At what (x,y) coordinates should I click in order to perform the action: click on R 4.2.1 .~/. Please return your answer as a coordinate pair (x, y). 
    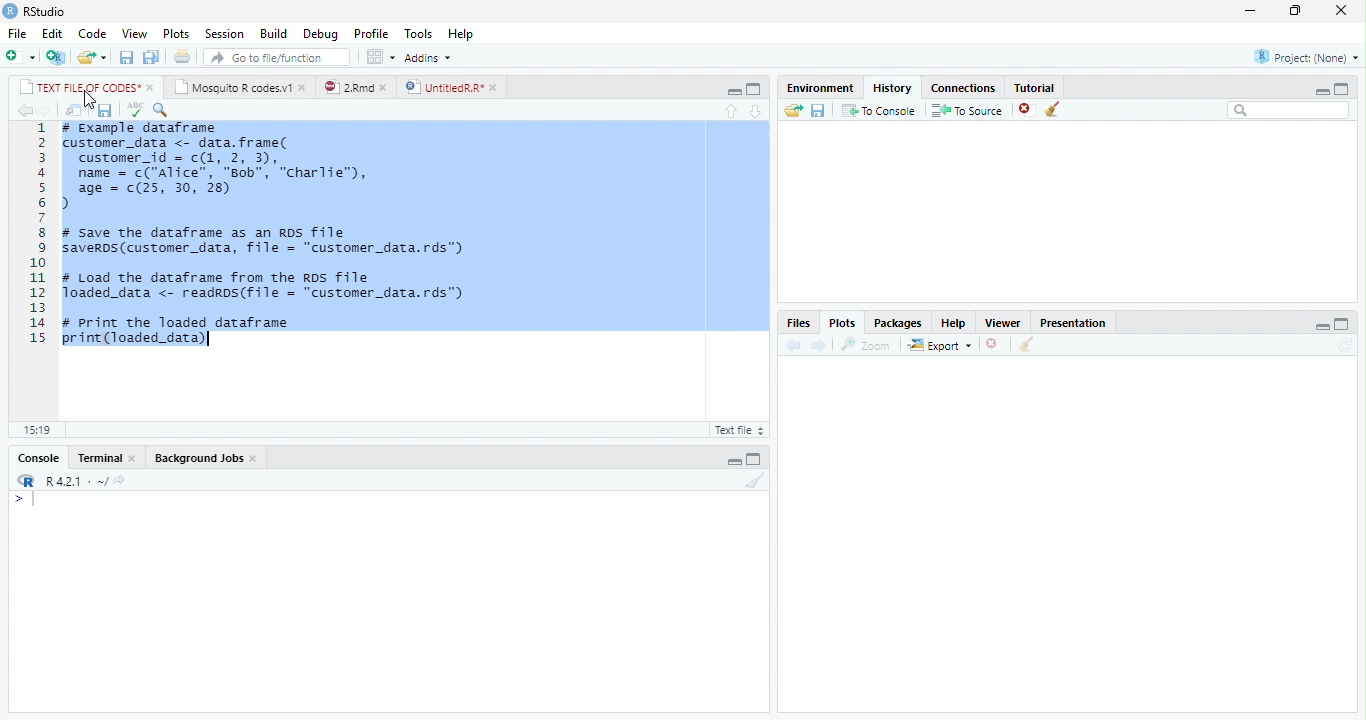
    Looking at the image, I should click on (73, 479).